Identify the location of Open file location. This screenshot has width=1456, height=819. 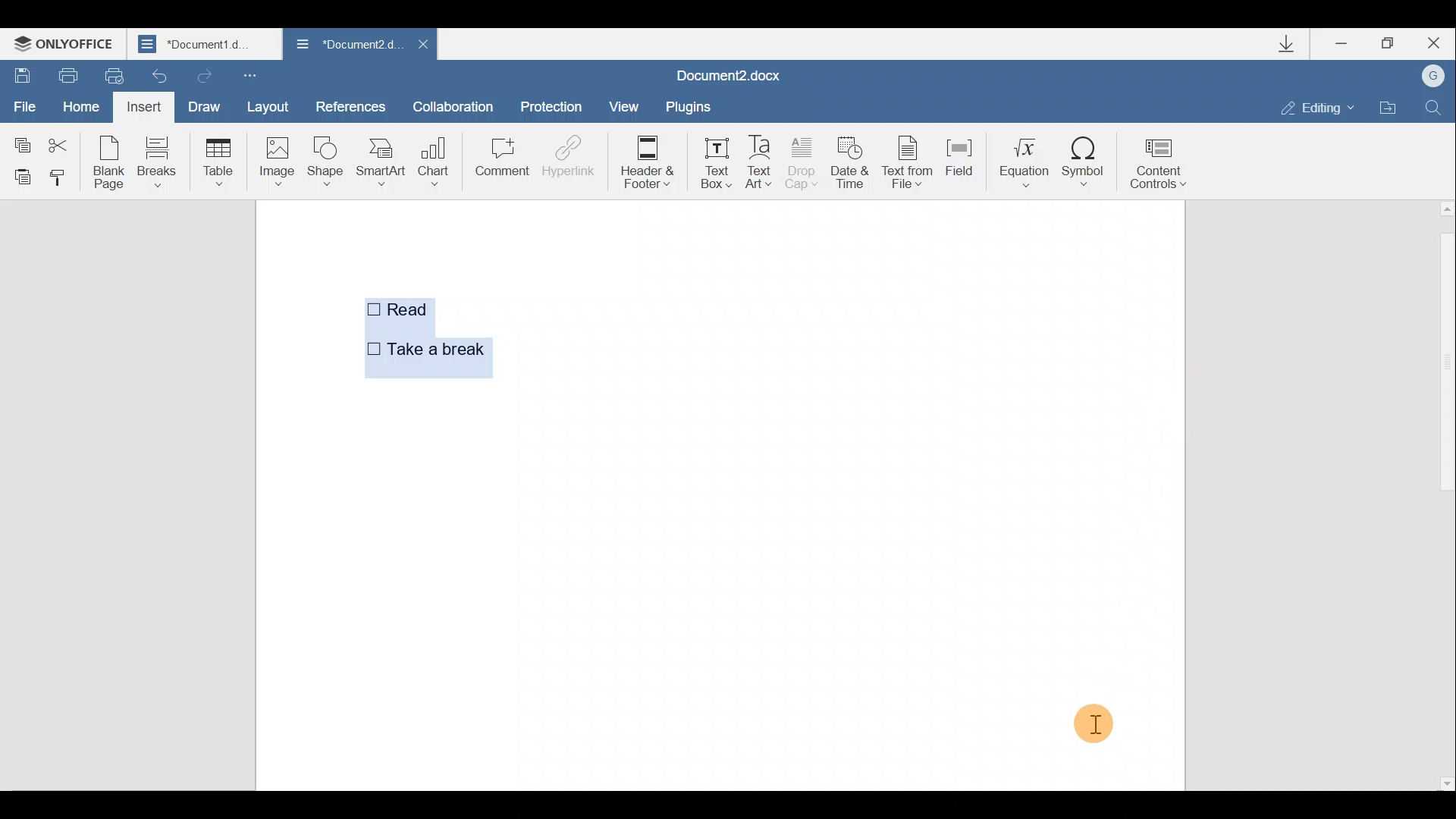
(1389, 108).